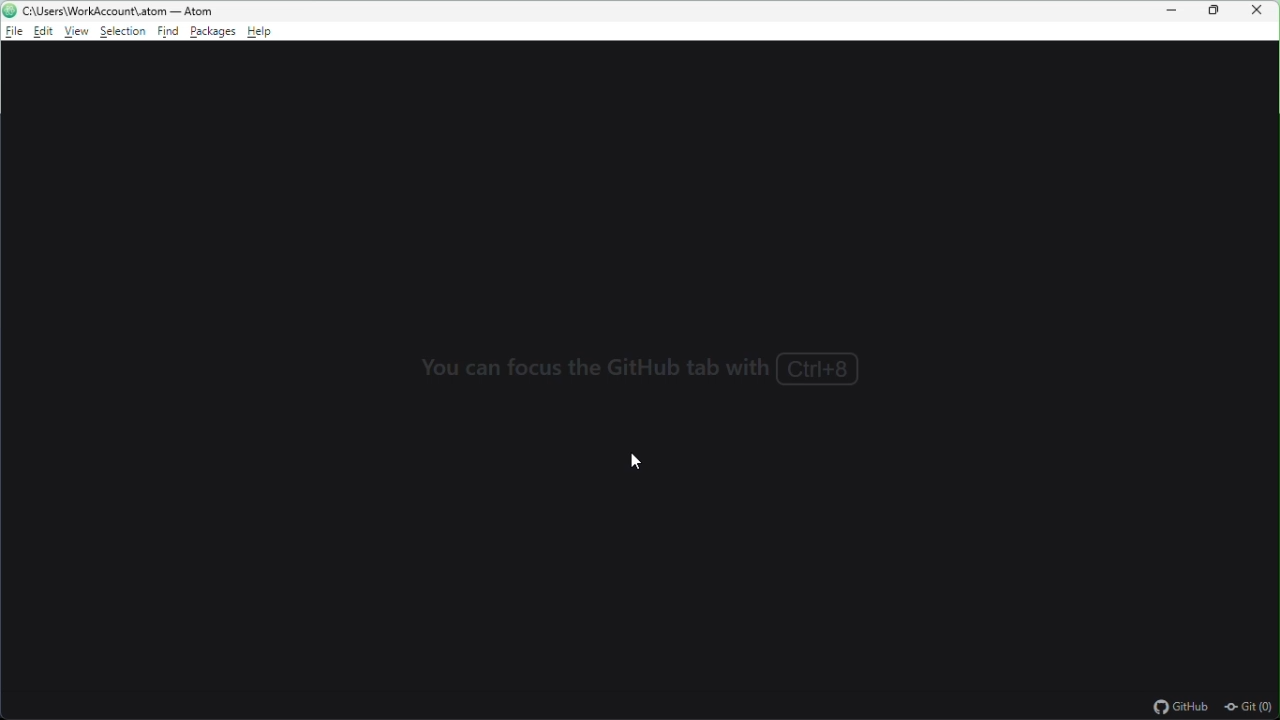 Image resolution: width=1280 pixels, height=720 pixels. What do you see at coordinates (260, 32) in the screenshot?
I see `help` at bounding box center [260, 32].